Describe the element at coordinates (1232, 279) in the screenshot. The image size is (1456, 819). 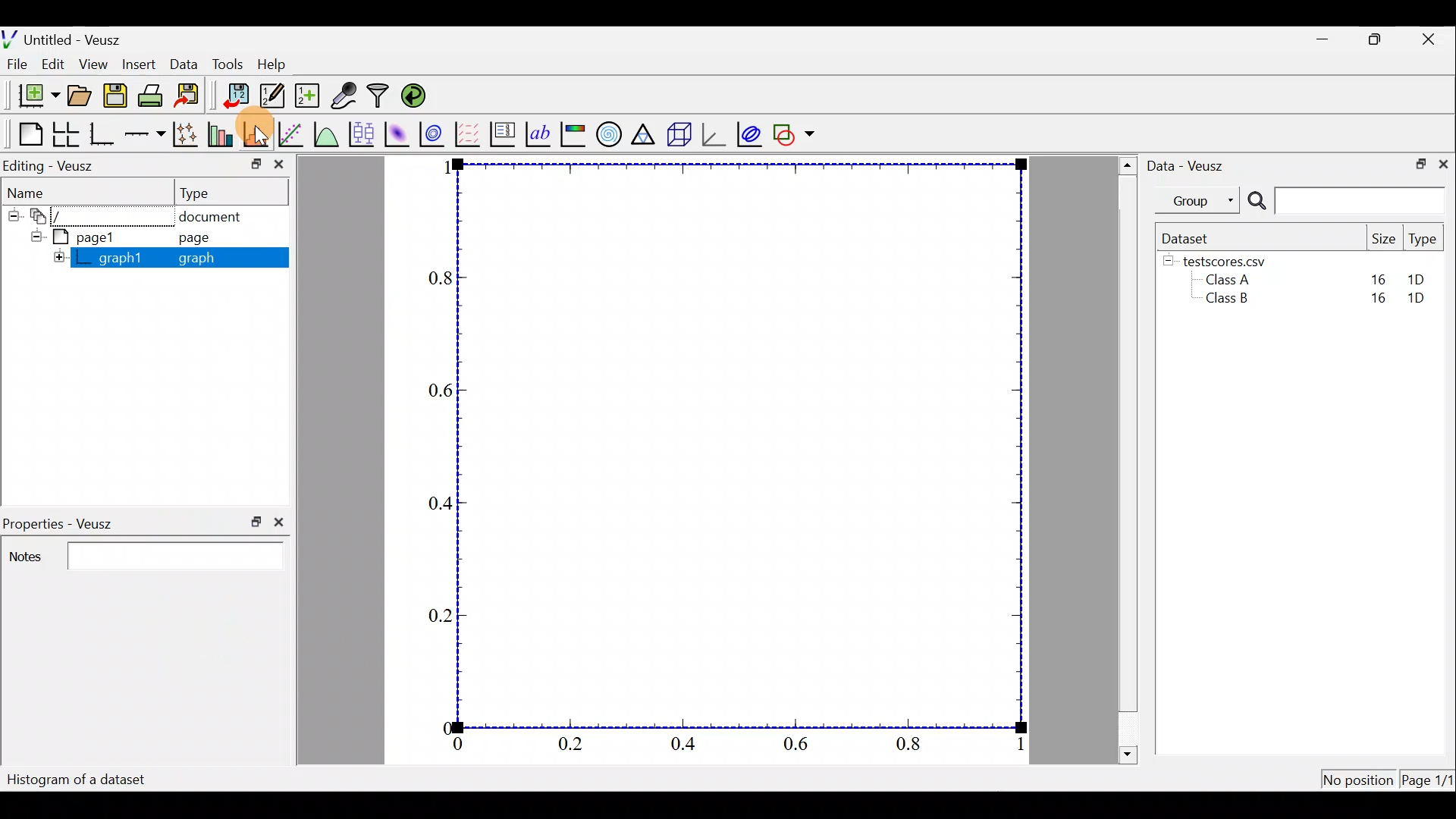
I see `Class A` at that location.